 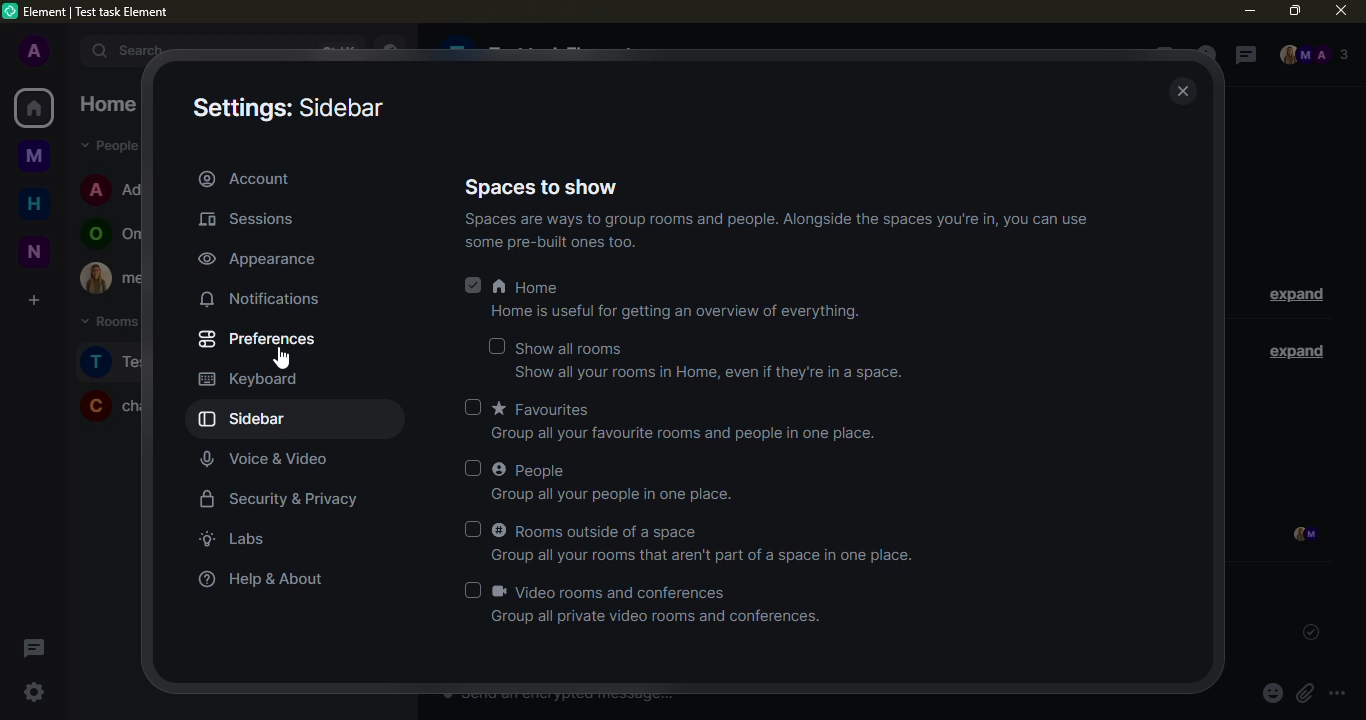 What do you see at coordinates (497, 346) in the screenshot?
I see `select` at bounding box center [497, 346].